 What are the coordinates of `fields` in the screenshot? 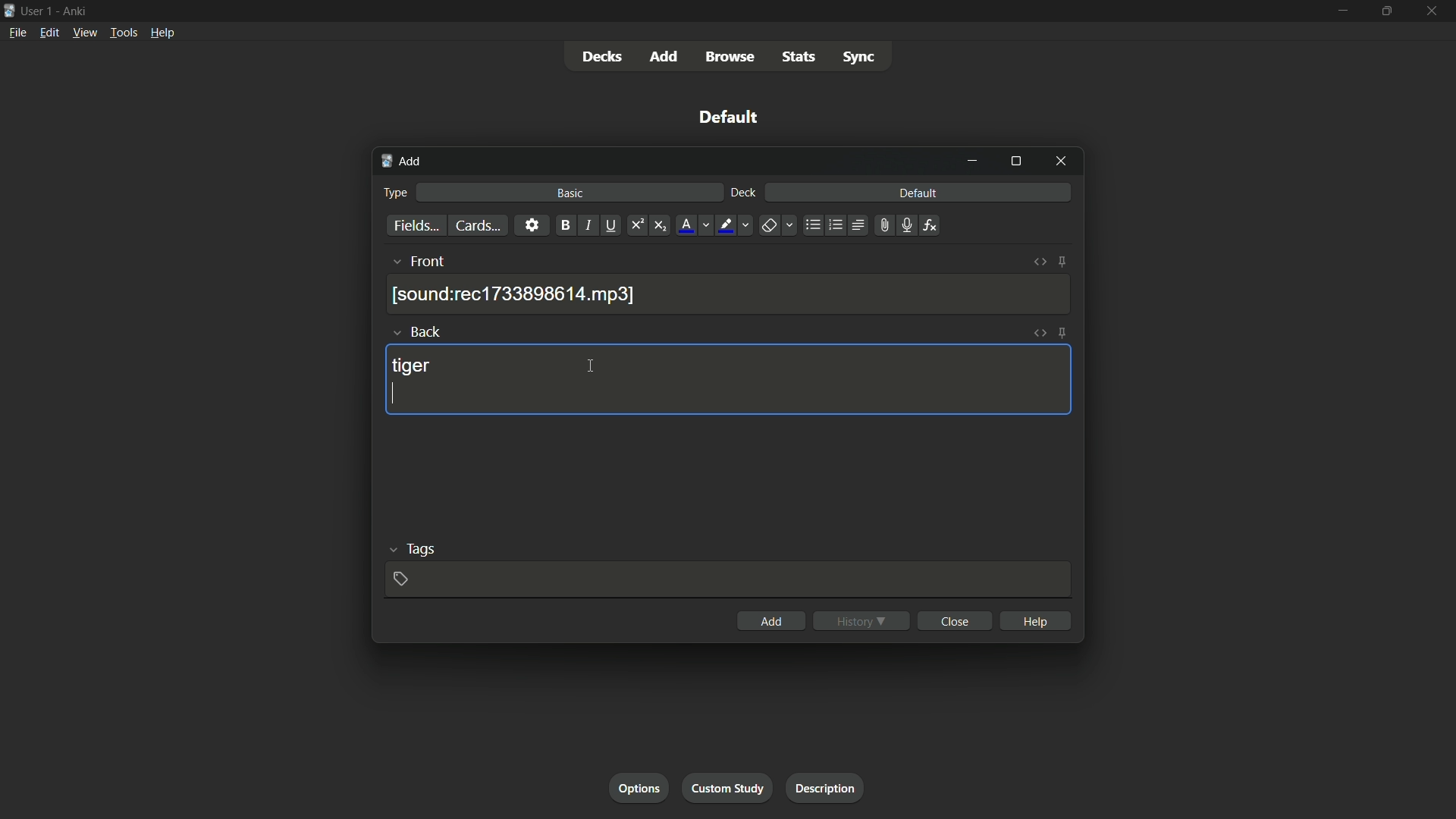 It's located at (415, 226).